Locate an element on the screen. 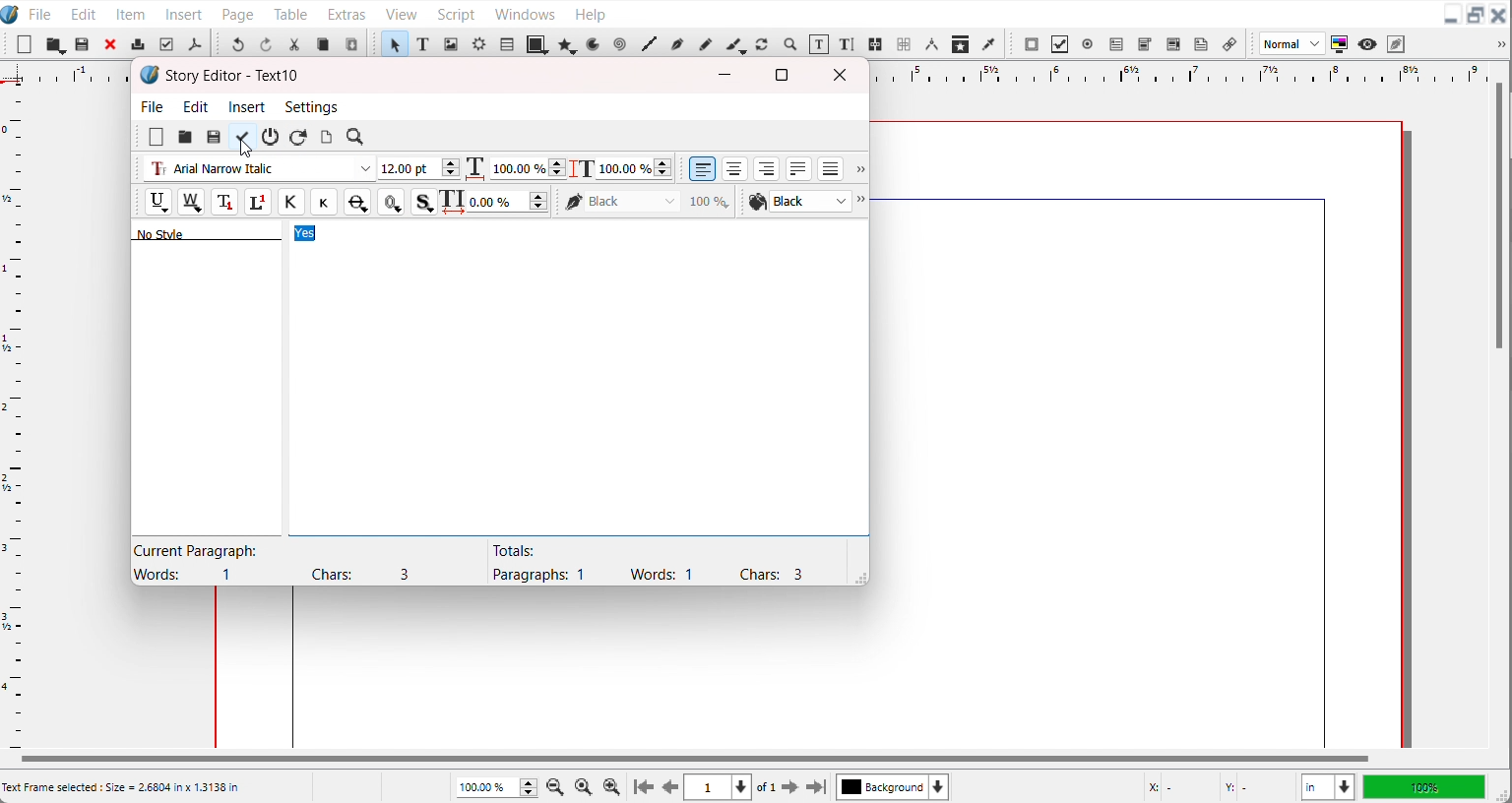 This screenshot has height=803, width=1512. Minimize is located at coordinates (725, 75).